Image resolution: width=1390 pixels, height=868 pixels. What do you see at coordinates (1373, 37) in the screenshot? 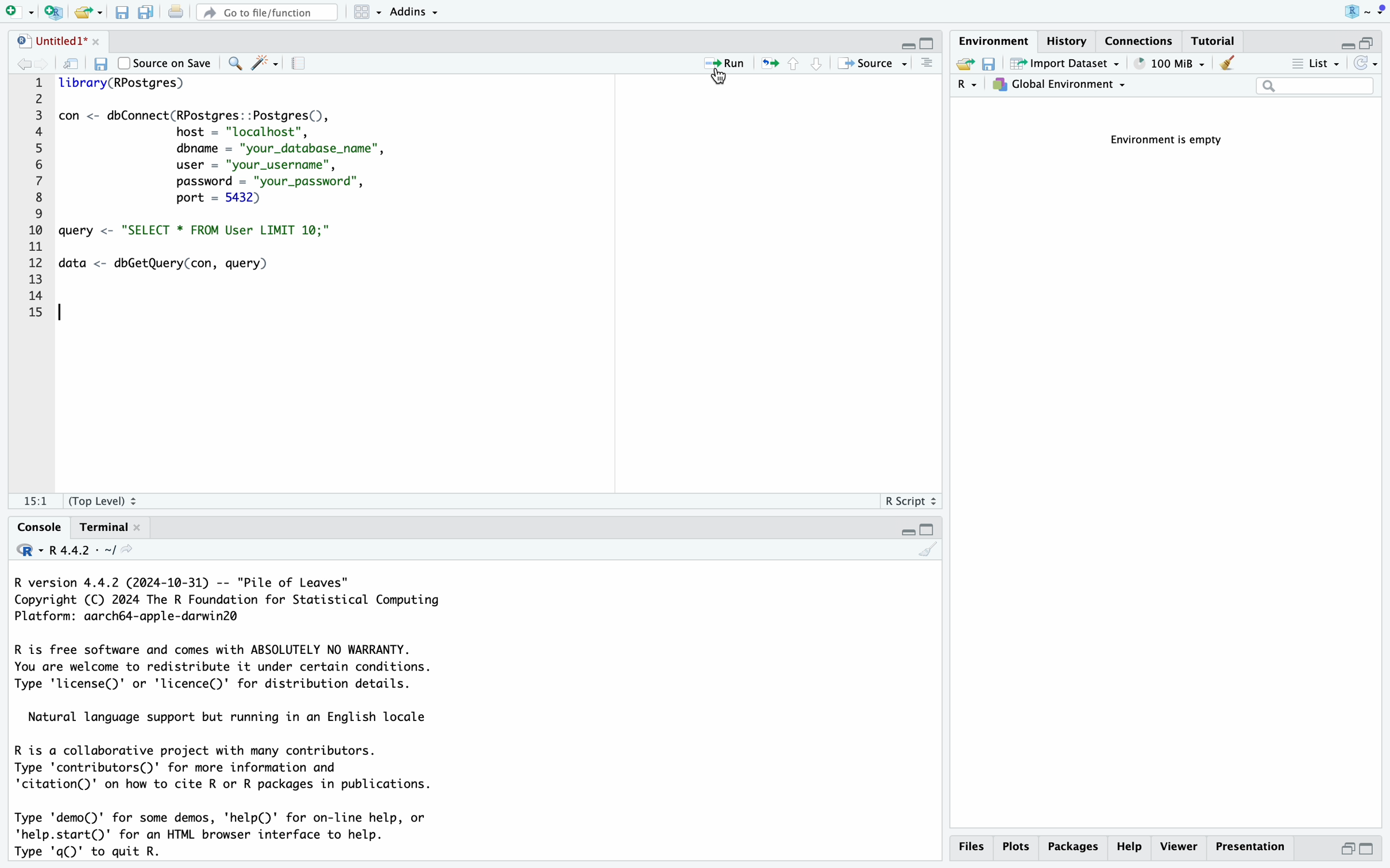
I see `maximize` at bounding box center [1373, 37].